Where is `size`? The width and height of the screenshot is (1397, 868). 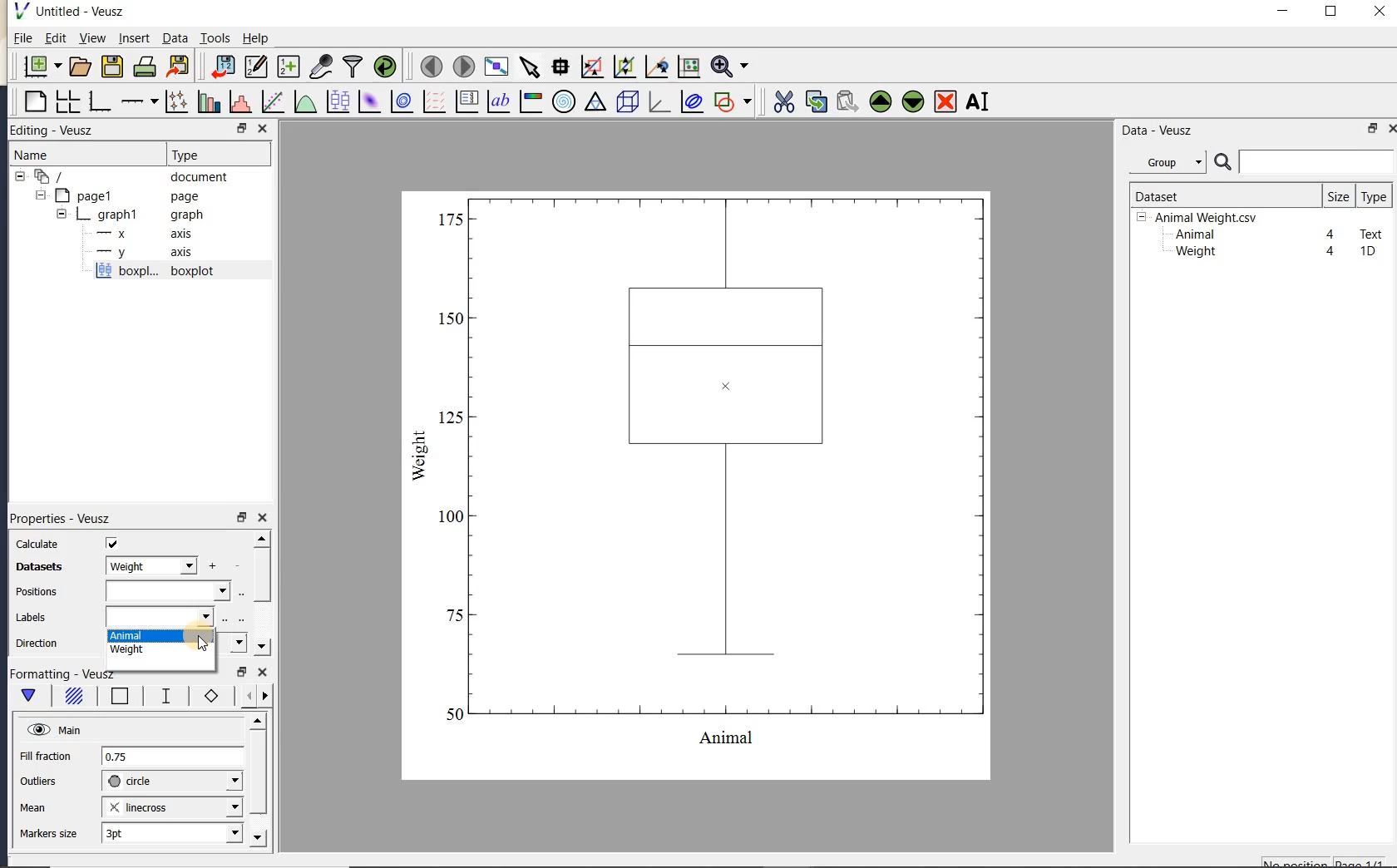
size is located at coordinates (1338, 195).